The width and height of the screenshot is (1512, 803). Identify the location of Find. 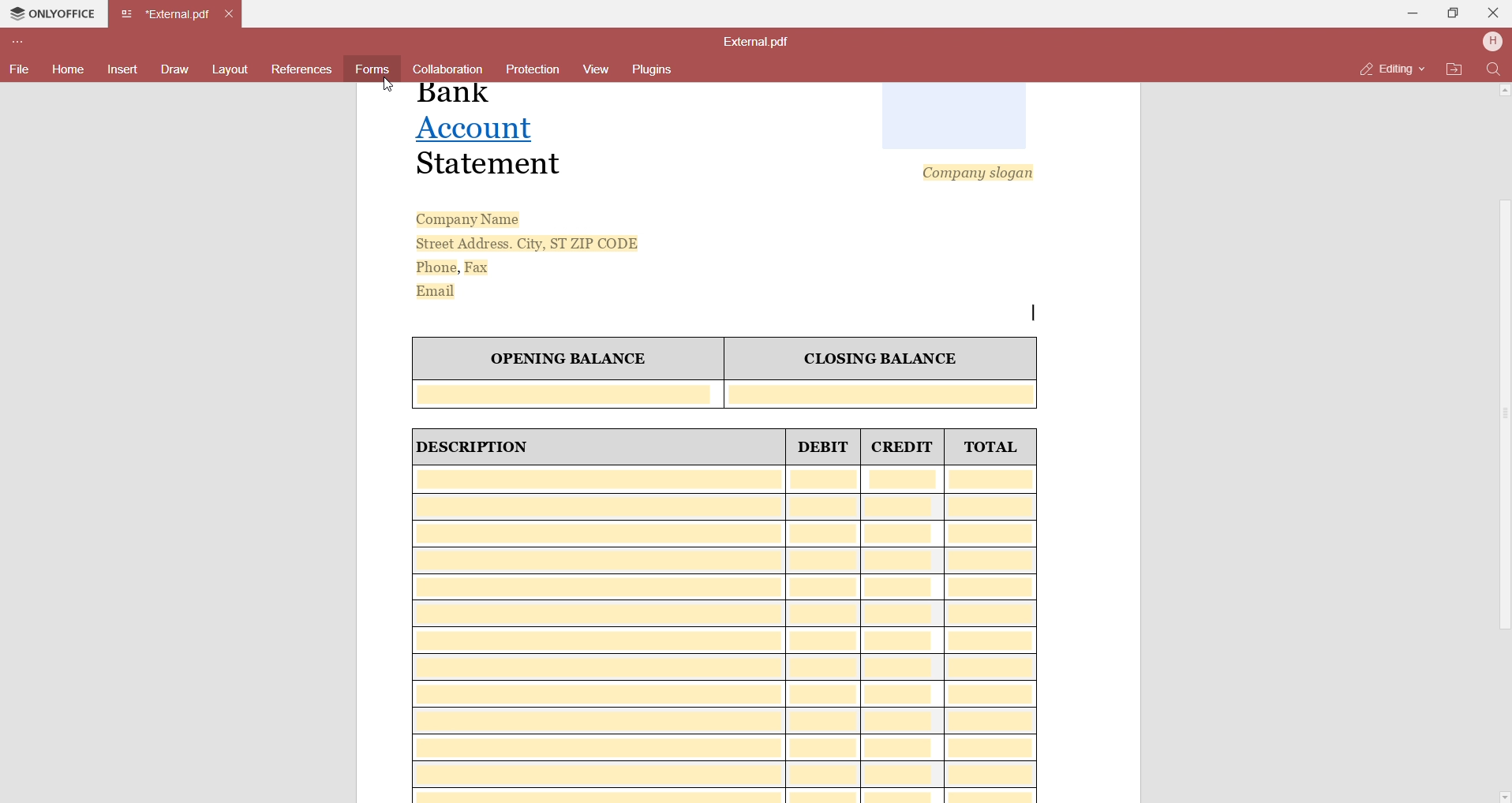
(1495, 70).